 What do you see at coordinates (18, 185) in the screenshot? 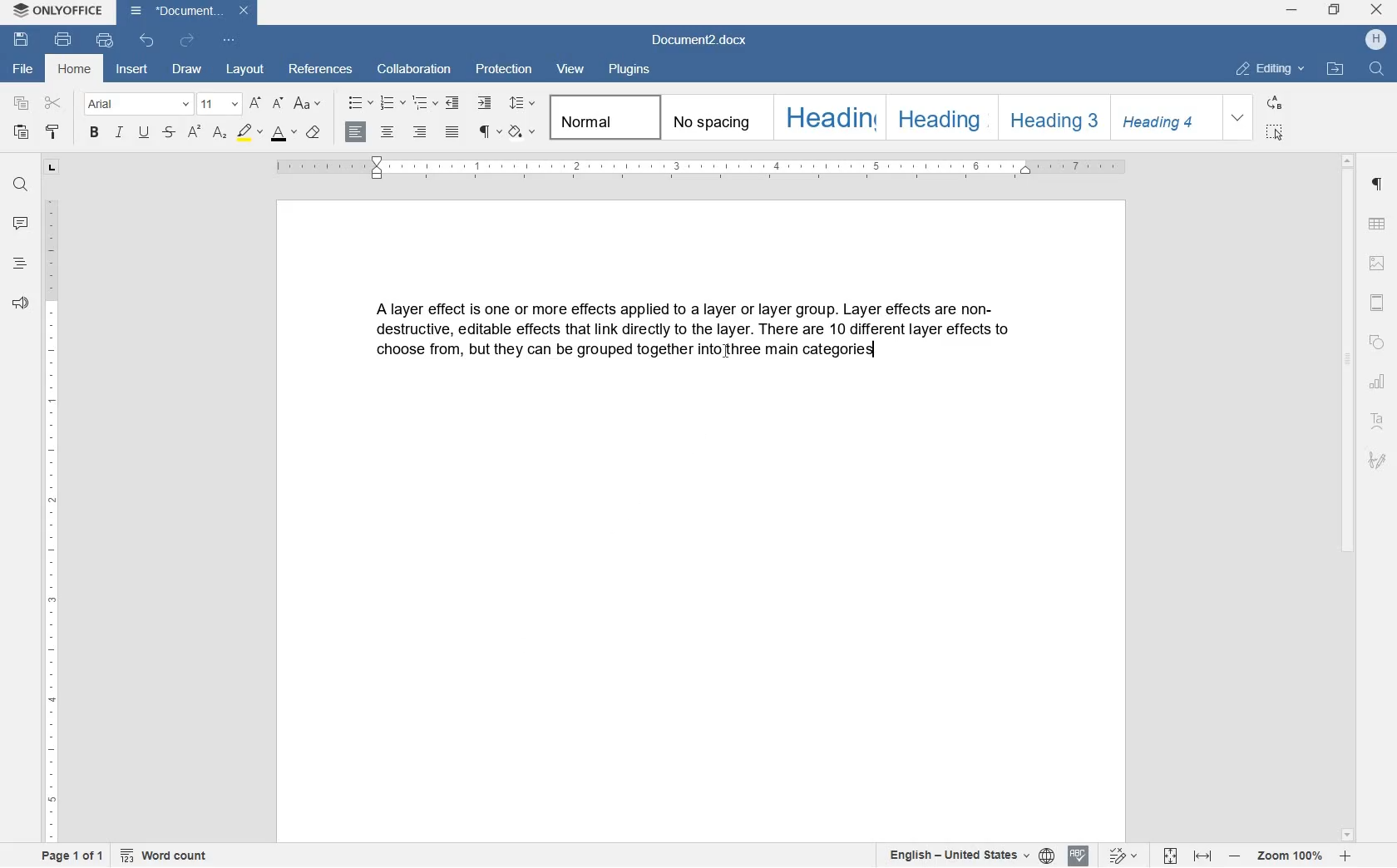
I see `find` at bounding box center [18, 185].